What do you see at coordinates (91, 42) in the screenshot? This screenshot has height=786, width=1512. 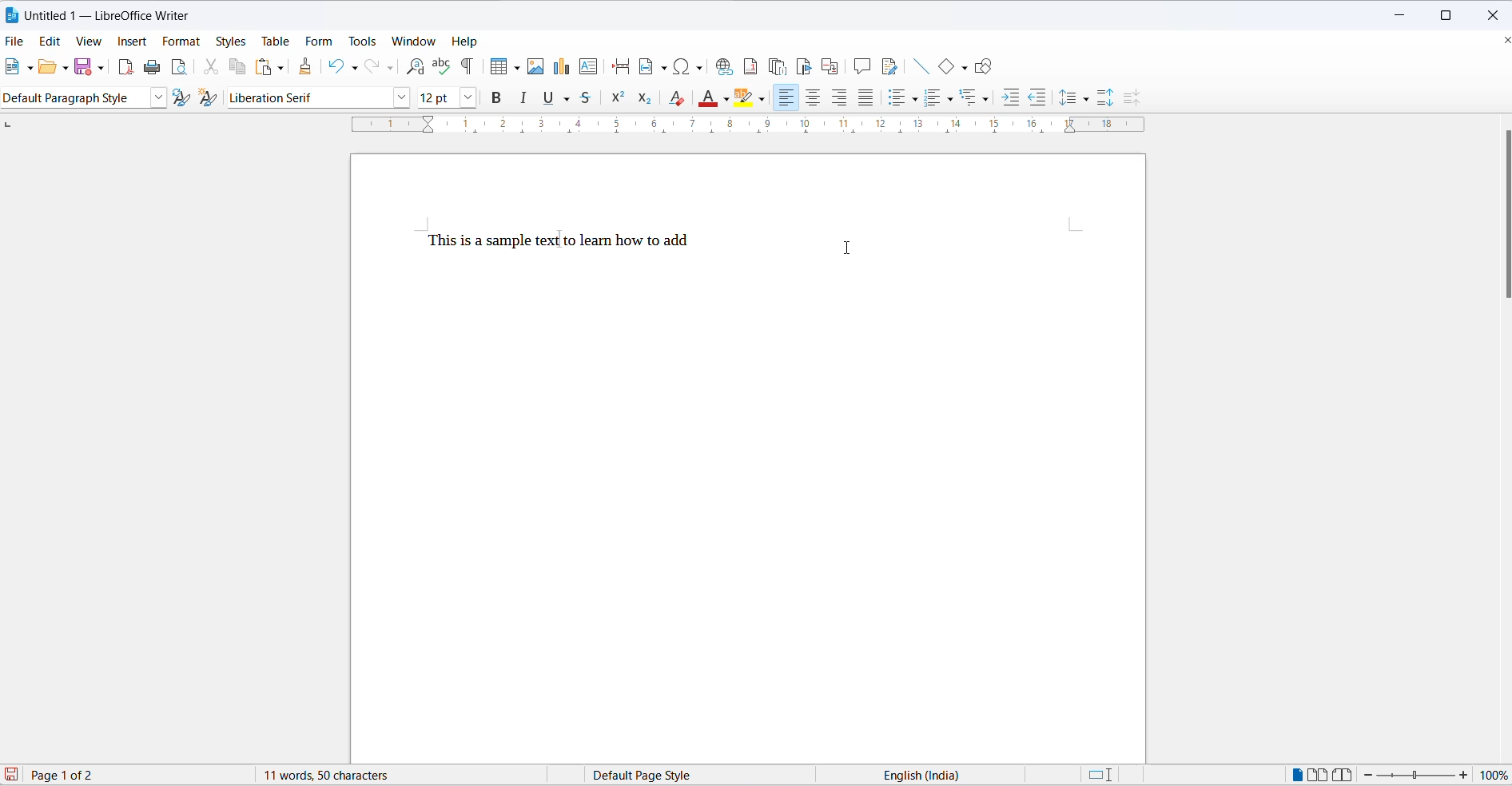 I see `view` at bounding box center [91, 42].